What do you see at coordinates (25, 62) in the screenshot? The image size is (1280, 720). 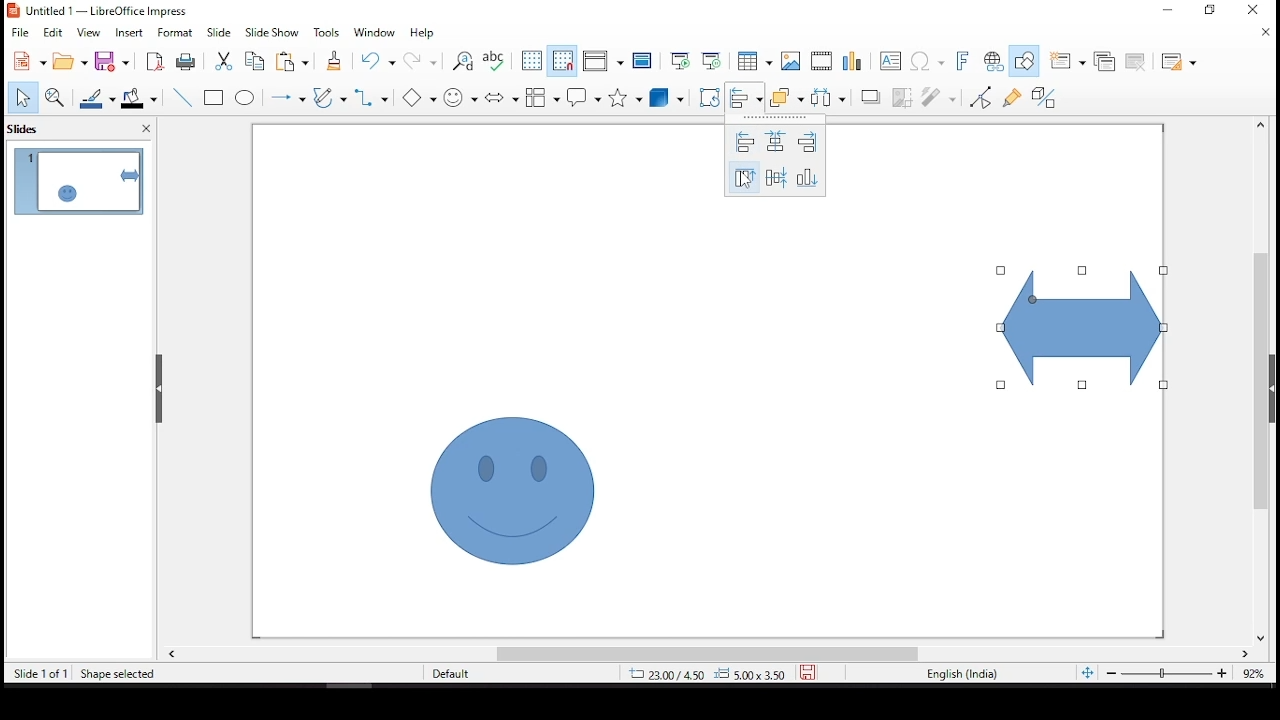 I see `new` at bounding box center [25, 62].